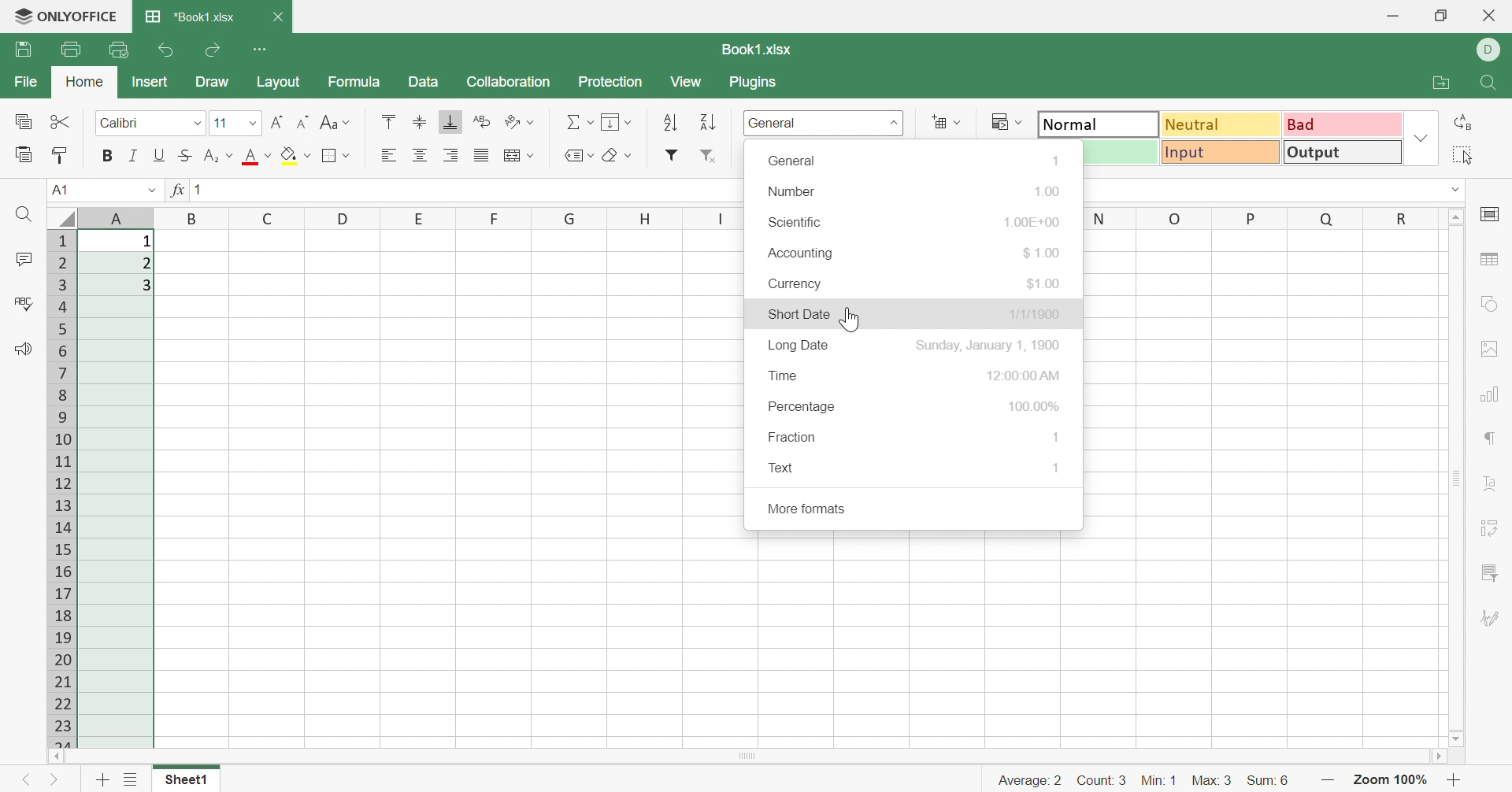  What do you see at coordinates (793, 191) in the screenshot?
I see `Number` at bounding box center [793, 191].